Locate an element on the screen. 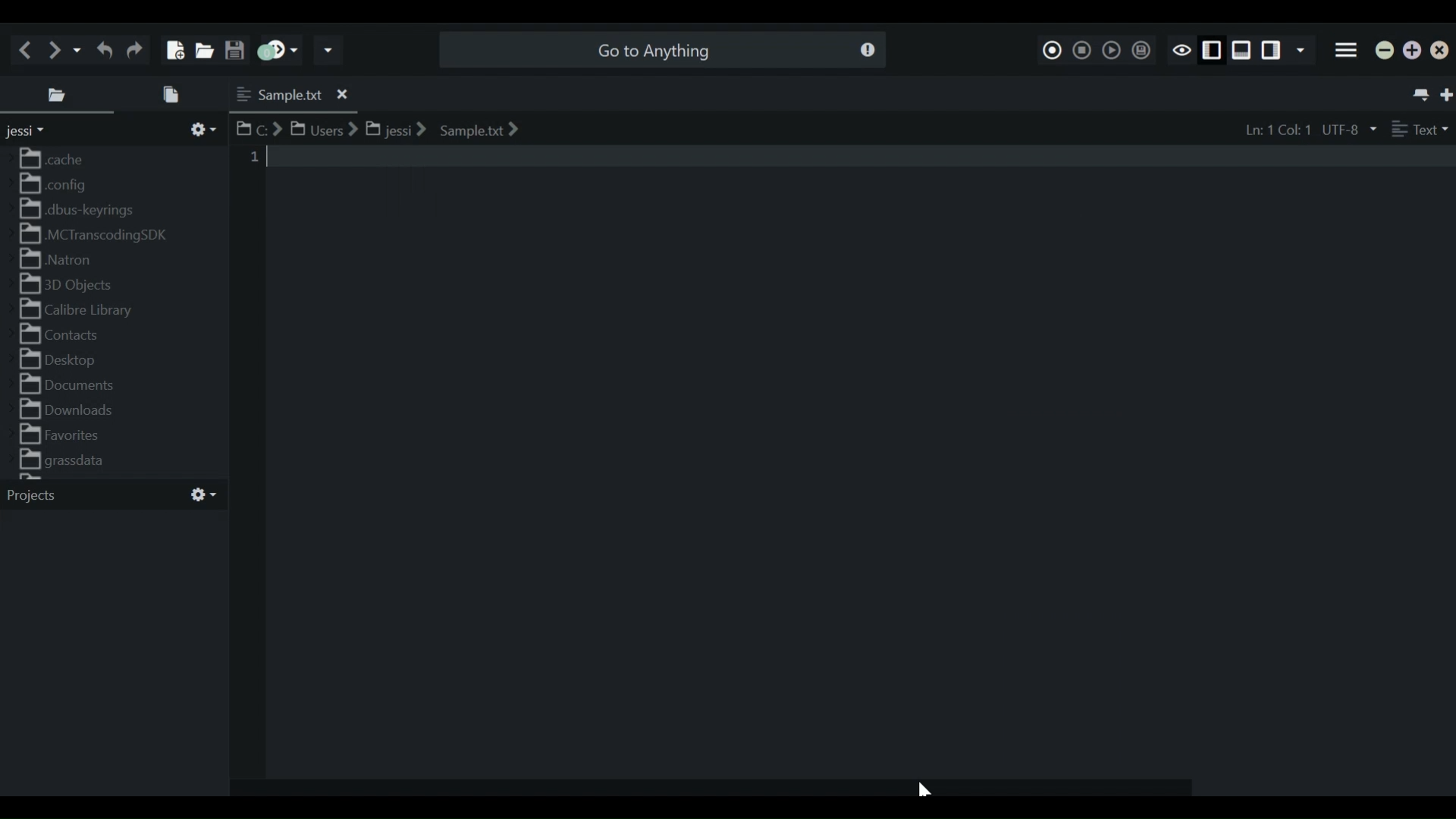 The width and height of the screenshot is (1456, 819). Search is located at coordinates (665, 49).